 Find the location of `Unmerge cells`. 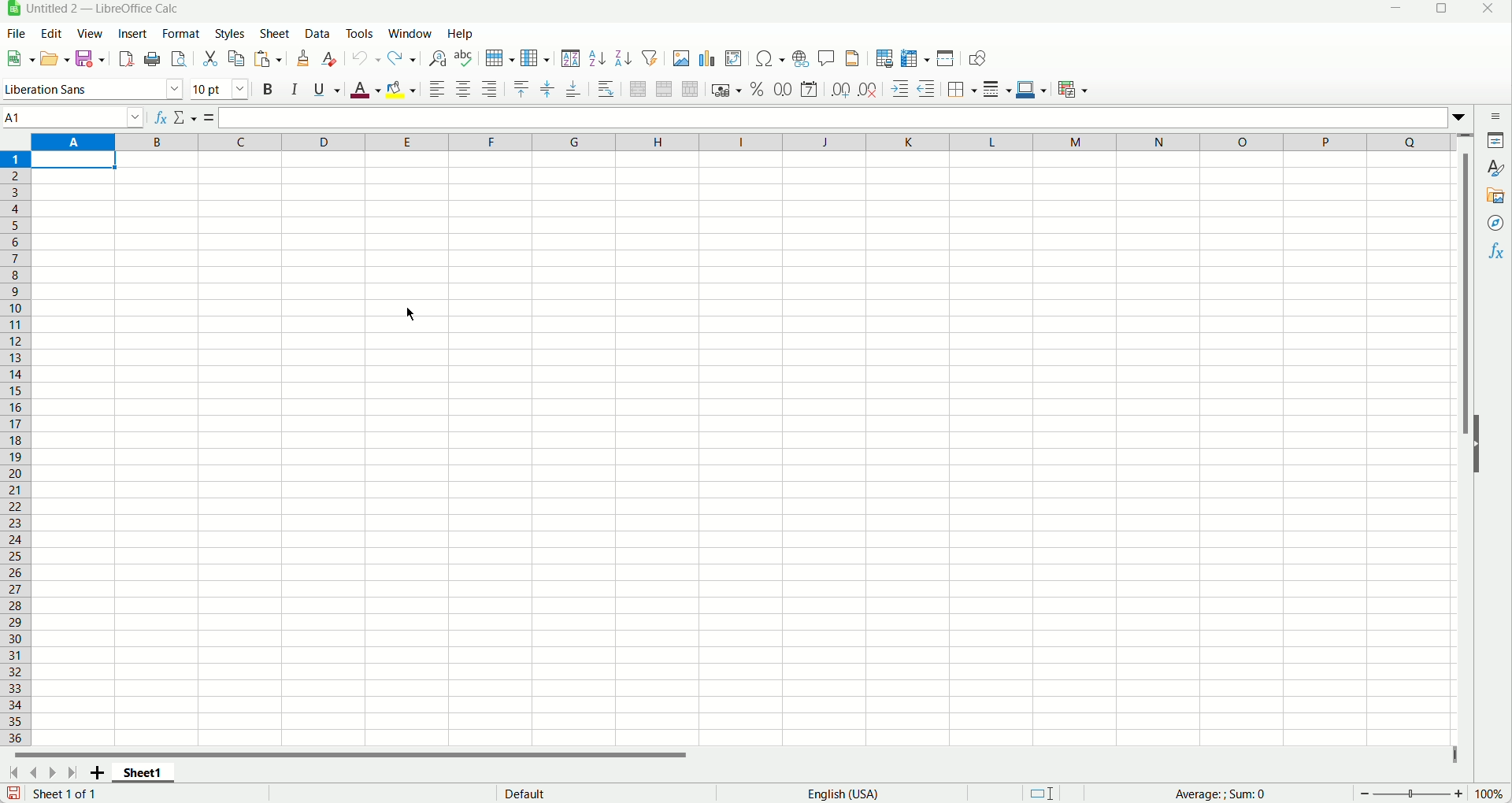

Unmerge cells is located at coordinates (691, 89).